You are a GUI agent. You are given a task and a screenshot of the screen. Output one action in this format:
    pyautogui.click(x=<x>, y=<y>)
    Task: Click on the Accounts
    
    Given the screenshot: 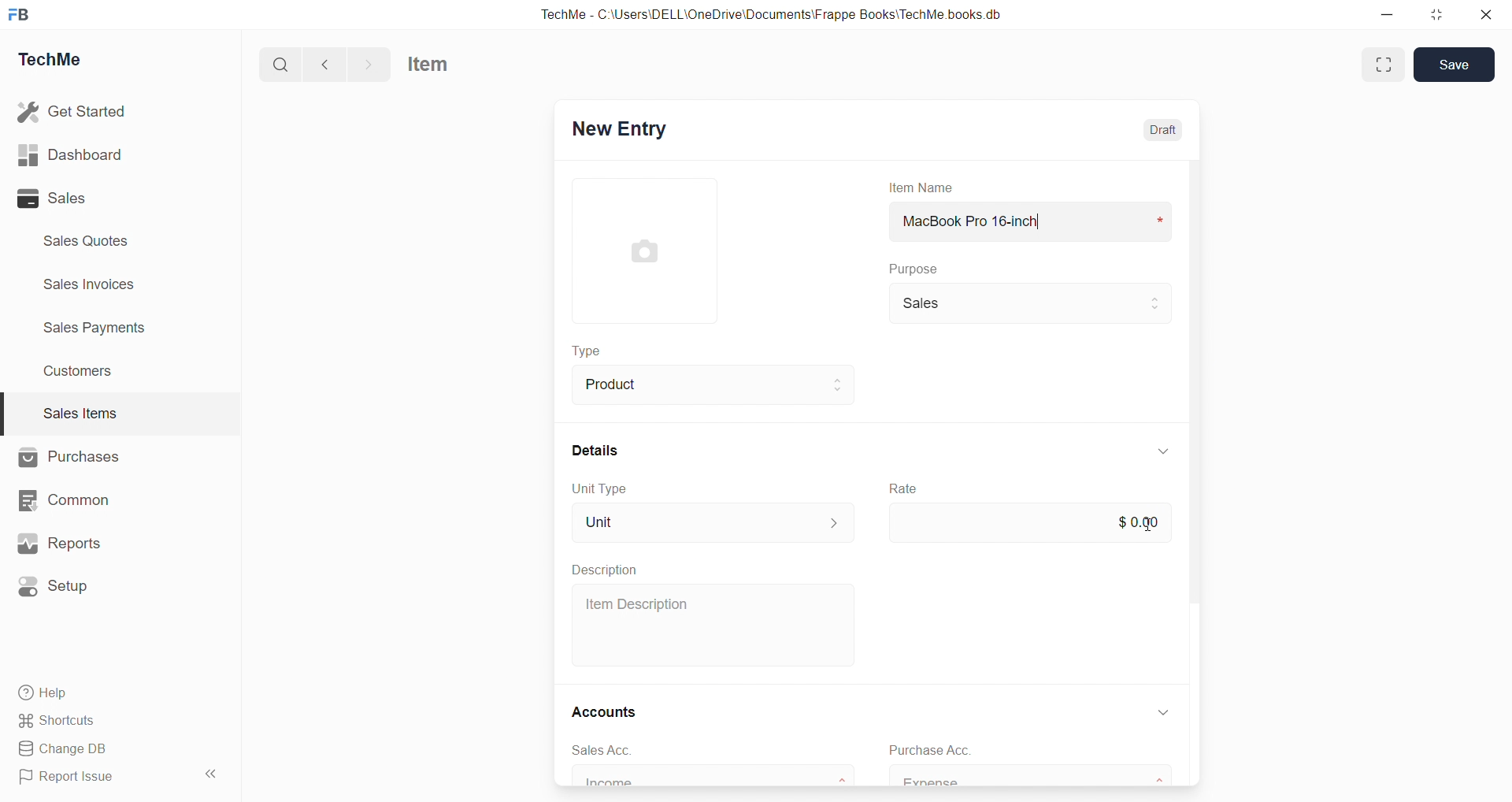 What is the action you would take?
    pyautogui.click(x=603, y=711)
    